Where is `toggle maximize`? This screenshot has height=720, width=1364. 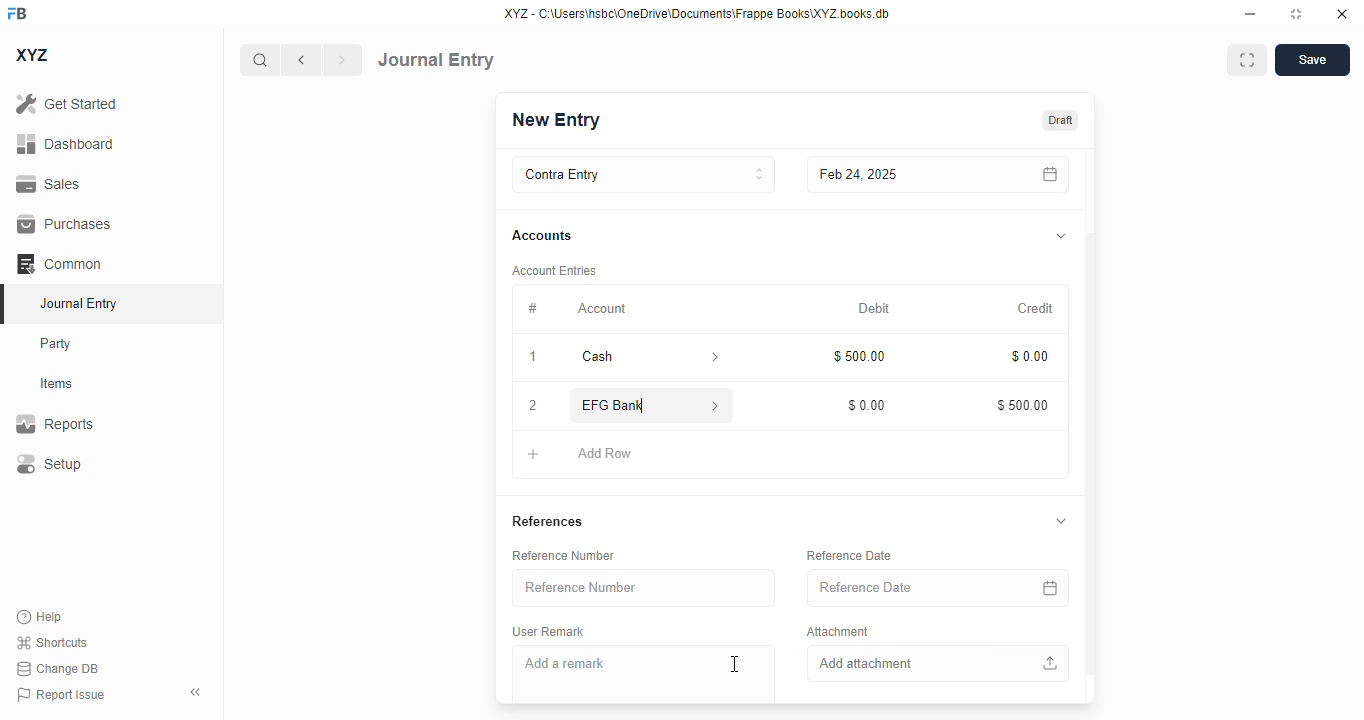
toggle maximize is located at coordinates (1296, 14).